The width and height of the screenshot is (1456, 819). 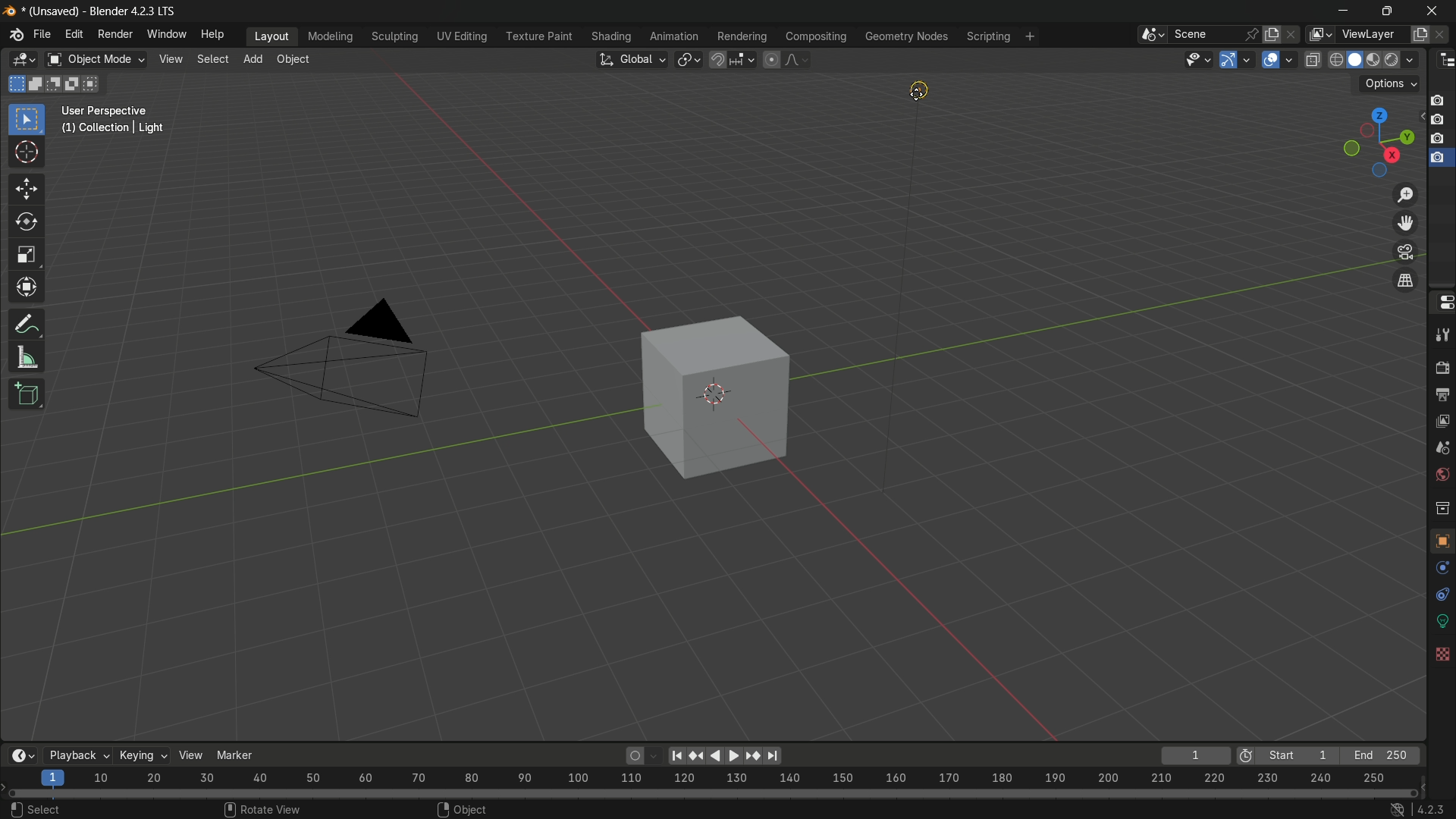 What do you see at coordinates (1390, 83) in the screenshot?
I see `options` at bounding box center [1390, 83].